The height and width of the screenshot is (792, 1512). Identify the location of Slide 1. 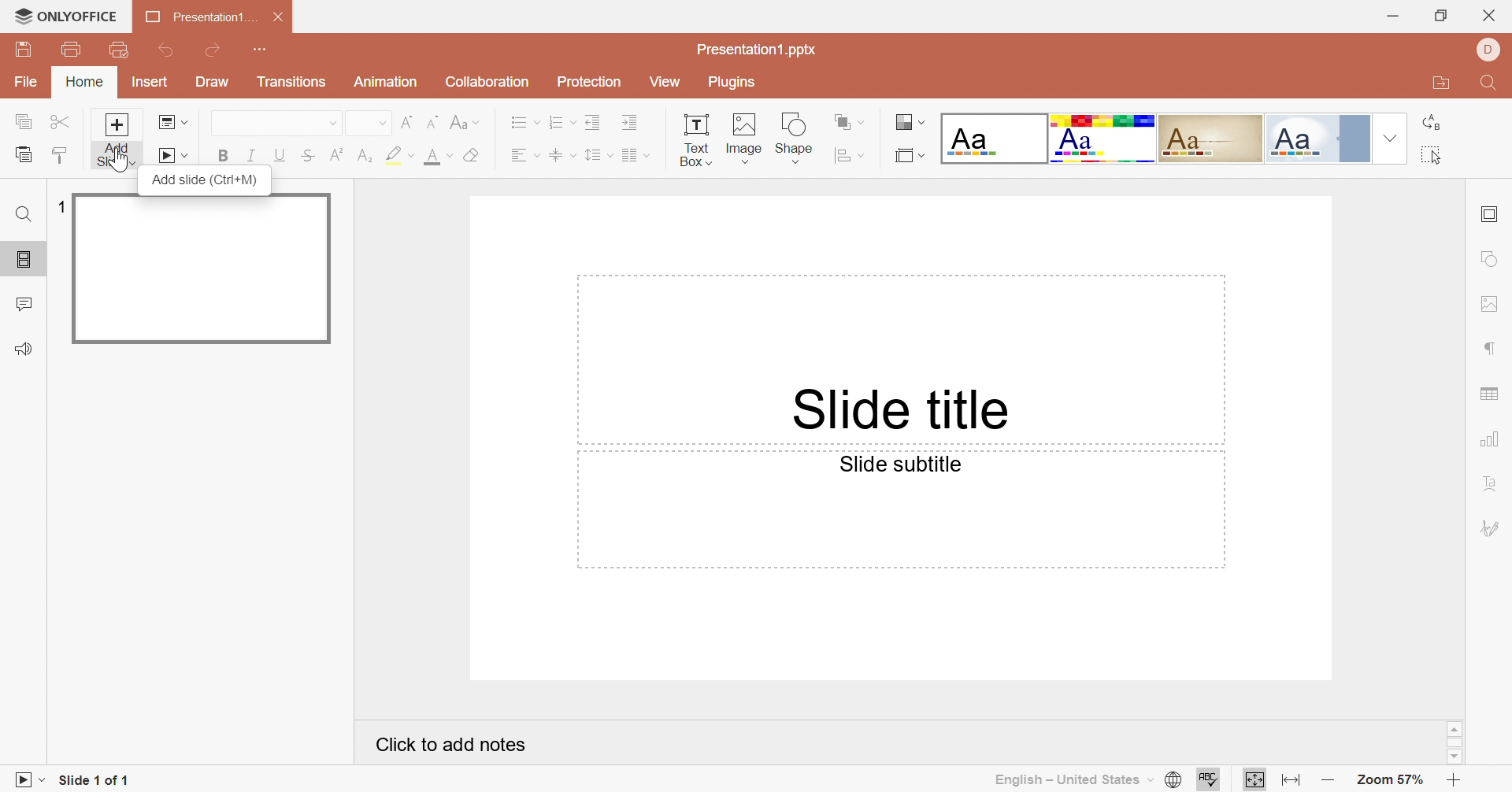
(206, 268).